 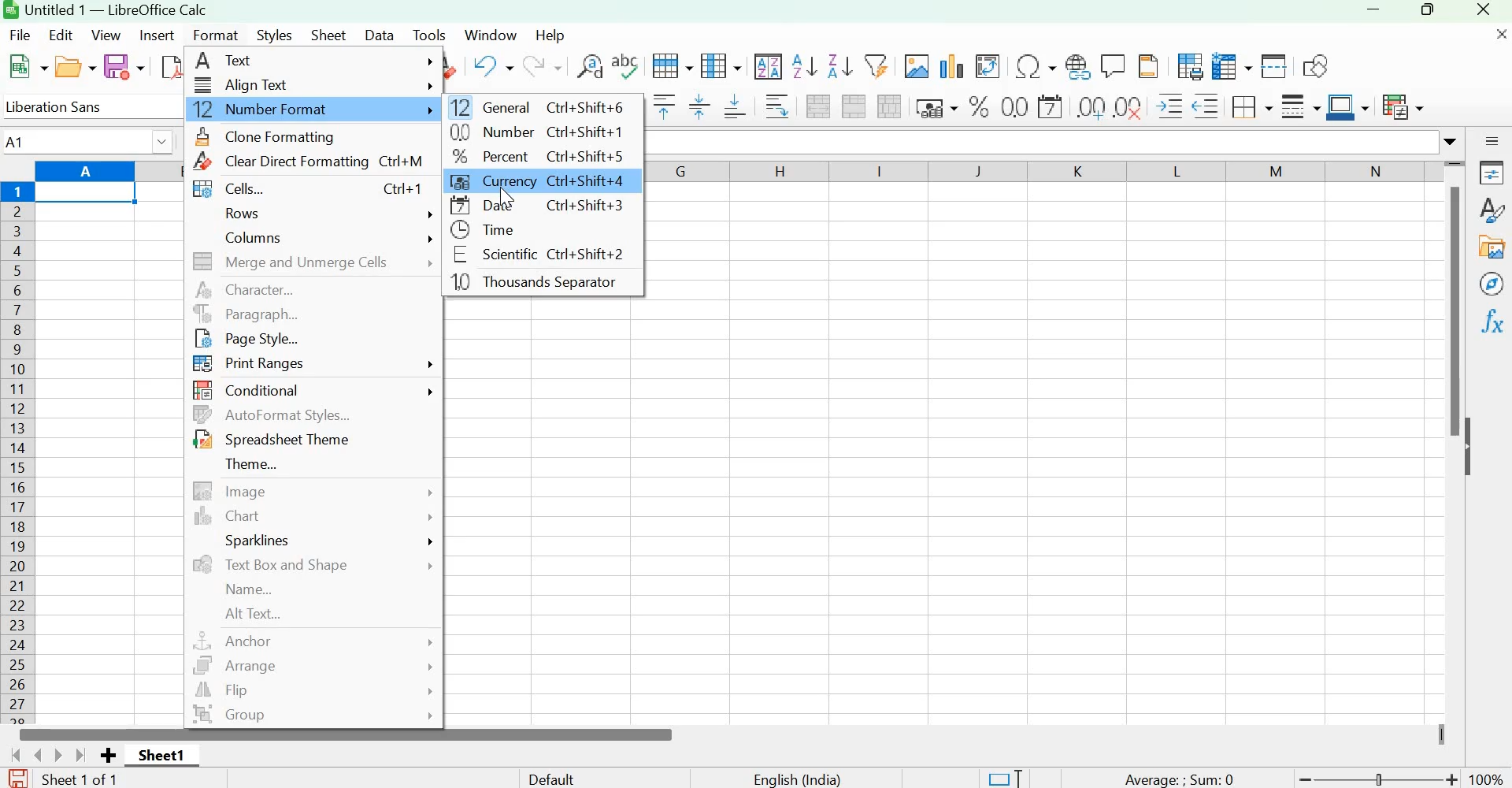 I want to click on Split window, so click(x=1273, y=67).